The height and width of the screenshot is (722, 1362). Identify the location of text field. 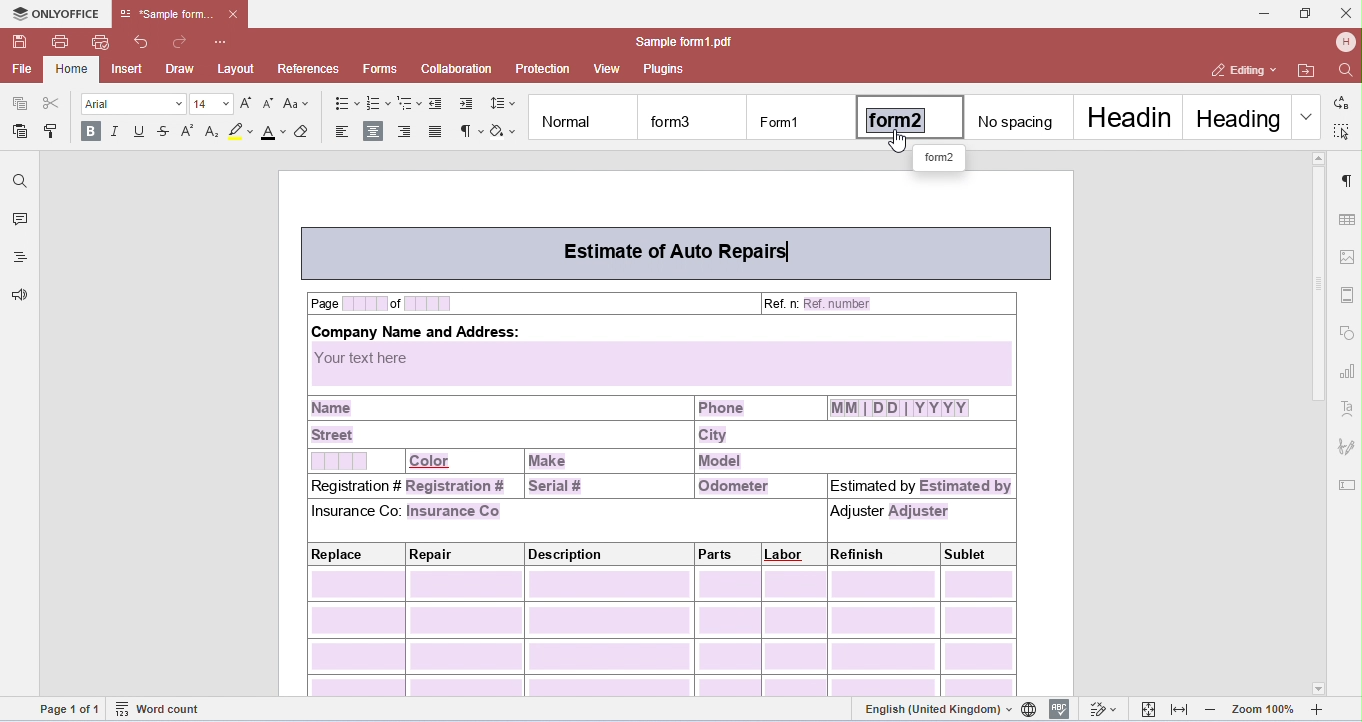
(1347, 486).